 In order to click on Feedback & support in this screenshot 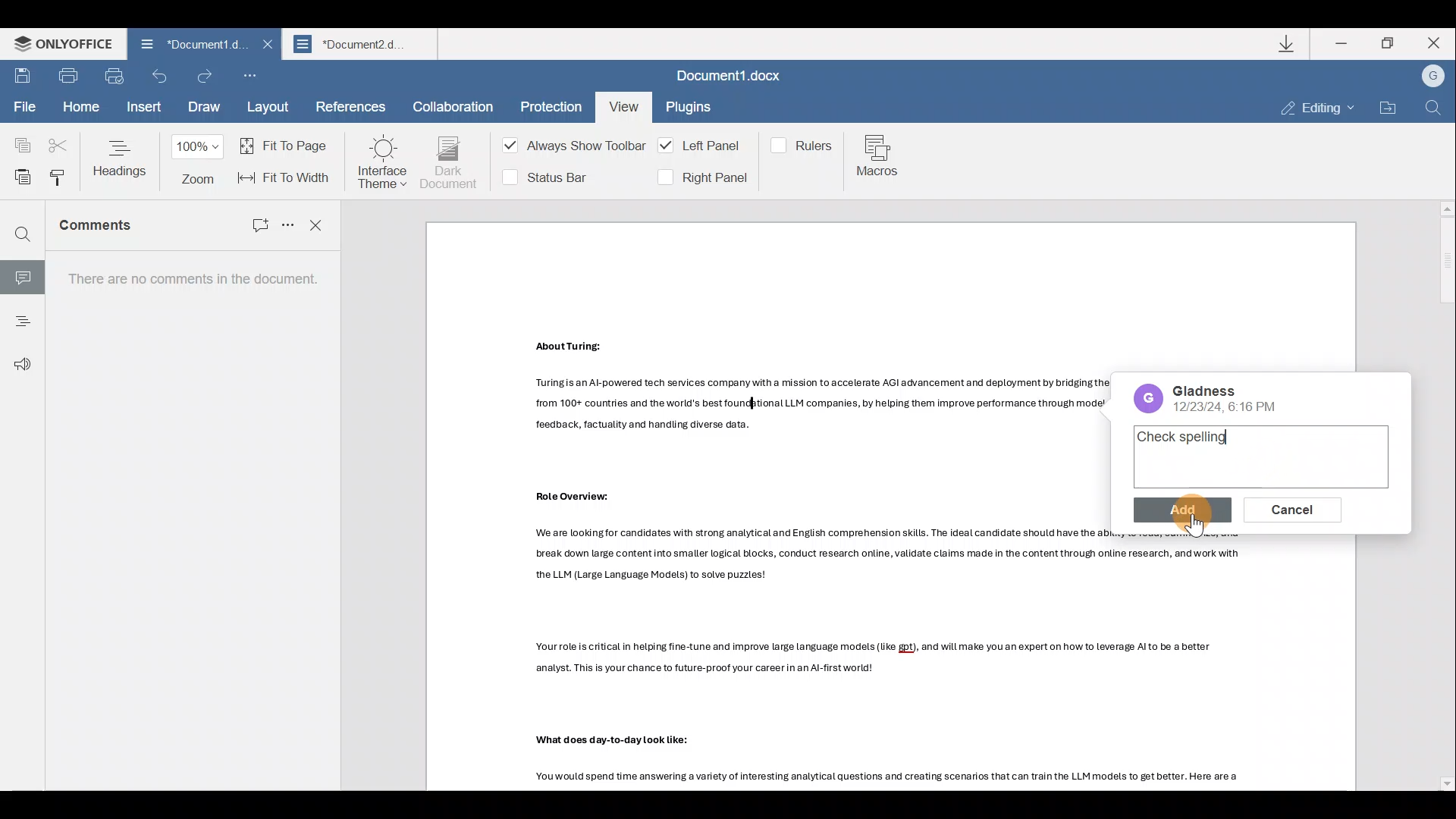, I will do `click(17, 356)`.